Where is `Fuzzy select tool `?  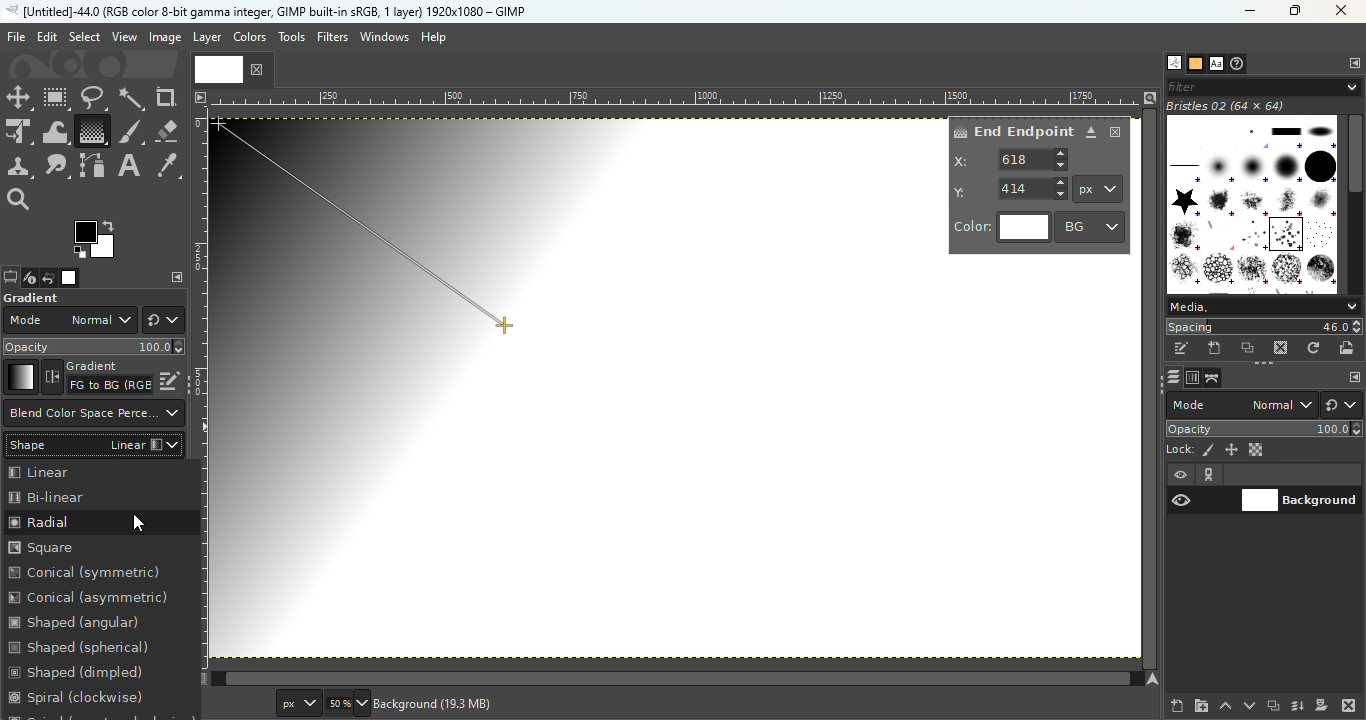 Fuzzy select tool  is located at coordinates (132, 98).